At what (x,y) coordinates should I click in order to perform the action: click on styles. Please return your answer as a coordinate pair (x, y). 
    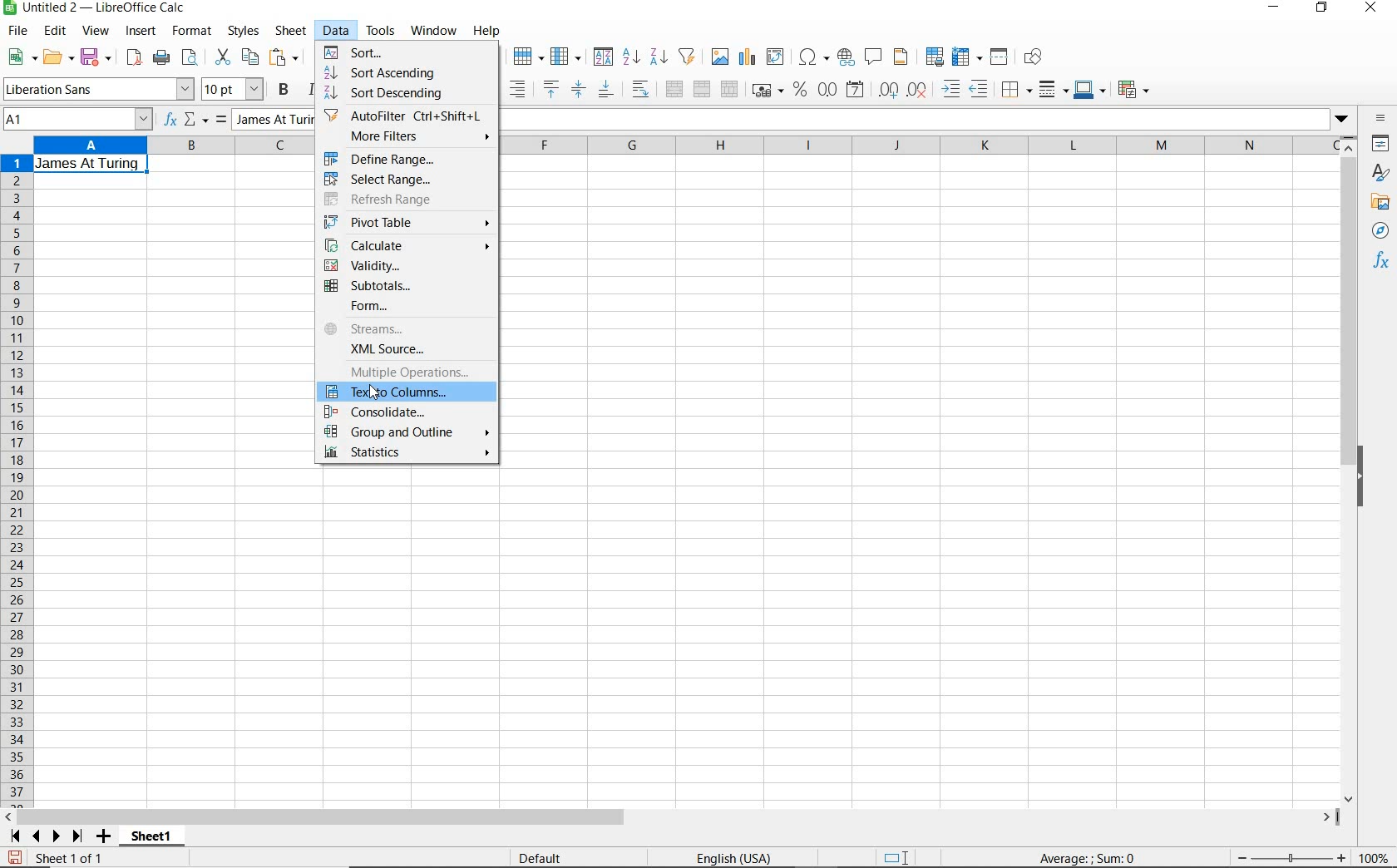
    Looking at the image, I should click on (1380, 172).